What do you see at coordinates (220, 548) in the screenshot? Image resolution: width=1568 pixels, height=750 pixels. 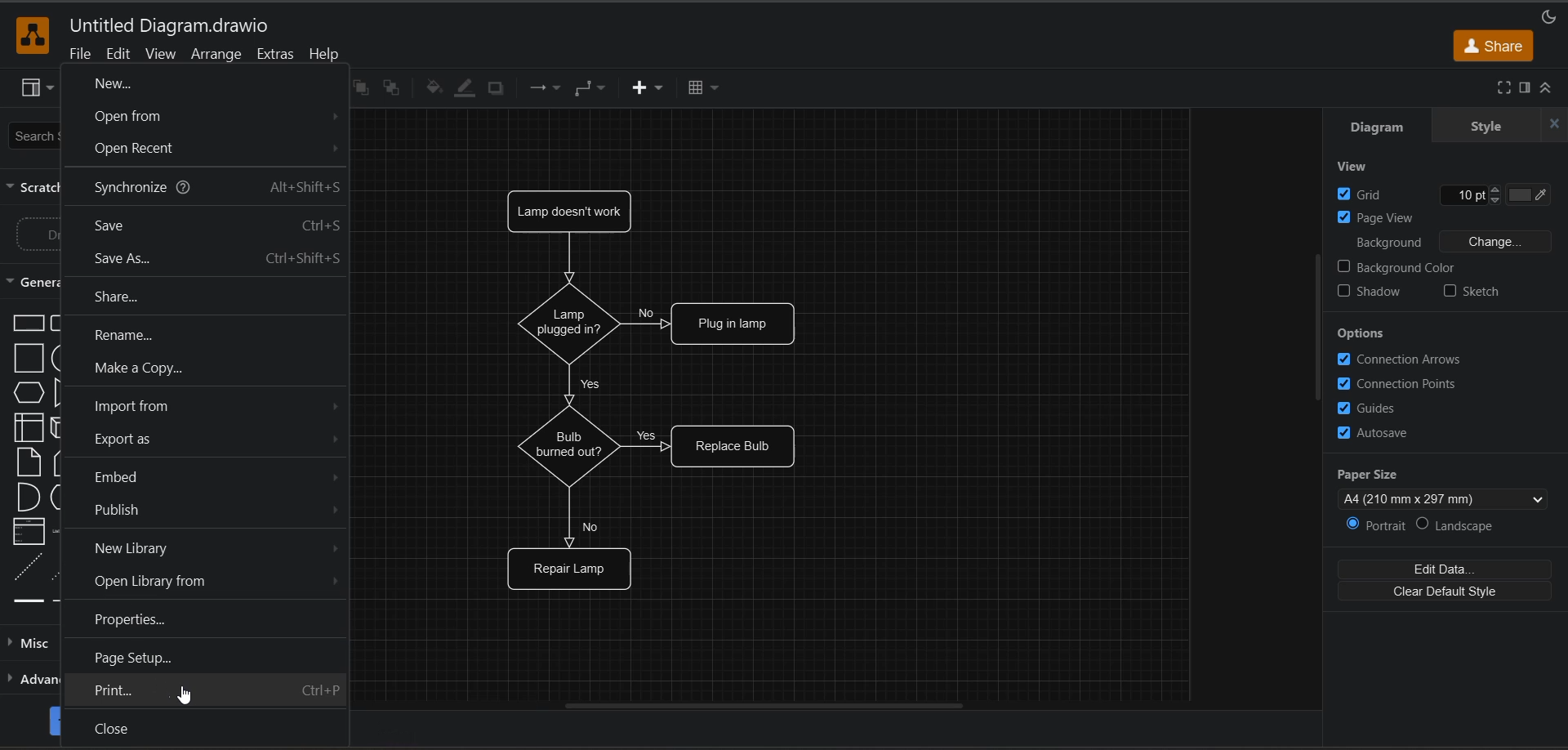 I see `new library` at bounding box center [220, 548].